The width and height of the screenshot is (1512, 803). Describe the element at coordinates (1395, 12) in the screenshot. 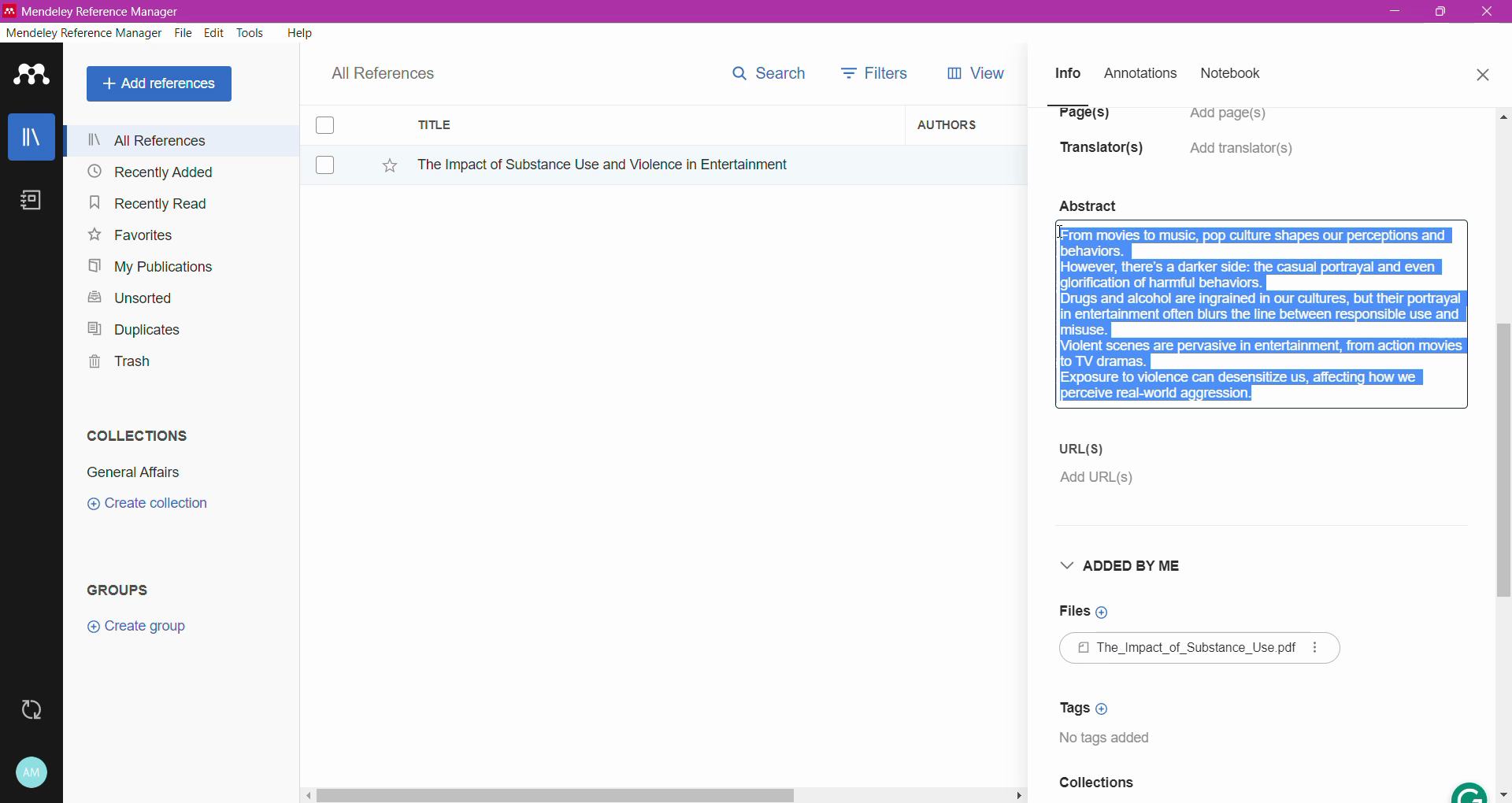

I see `Minimize` at that location.